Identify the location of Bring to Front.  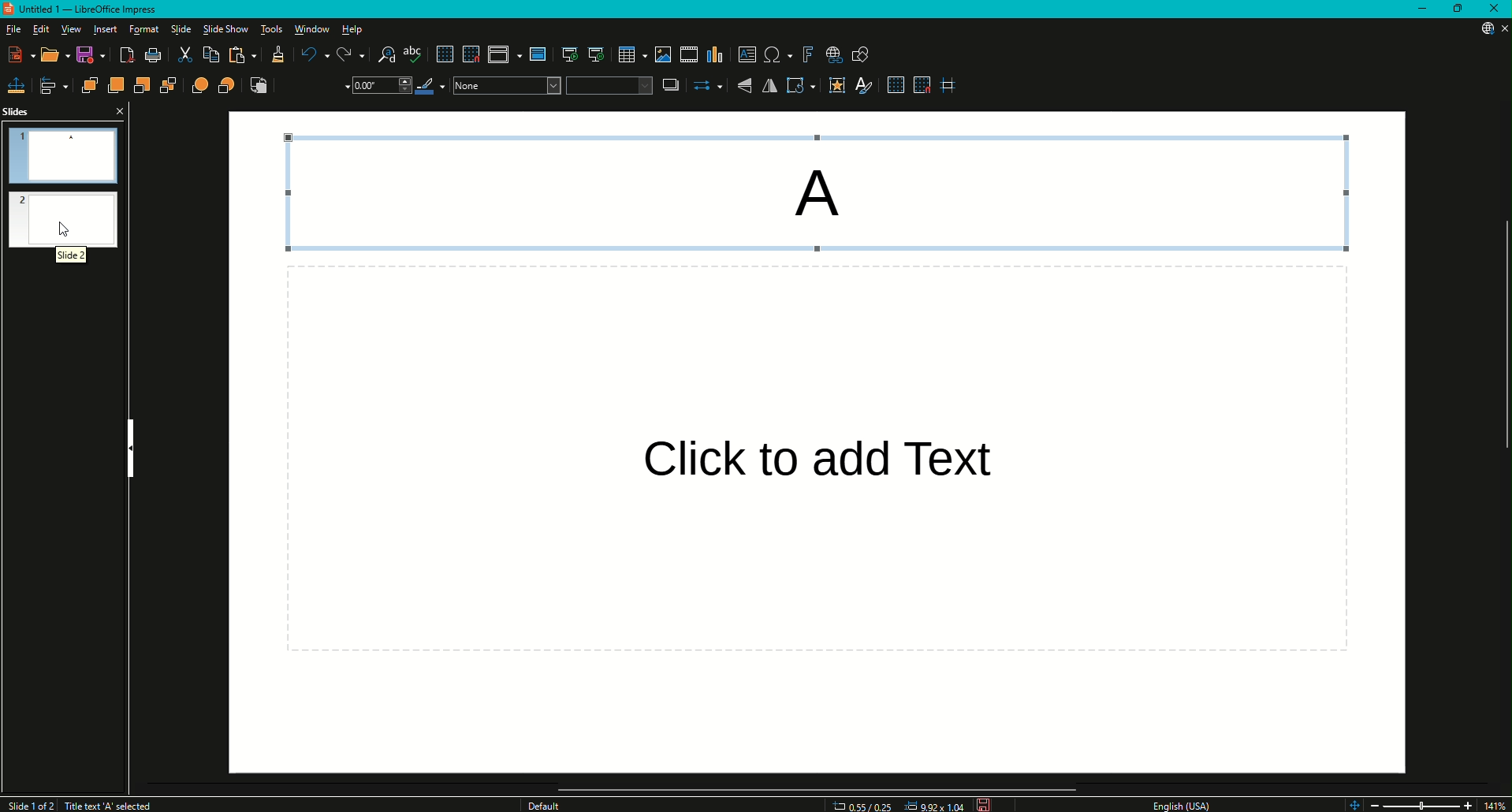
(87, 85).